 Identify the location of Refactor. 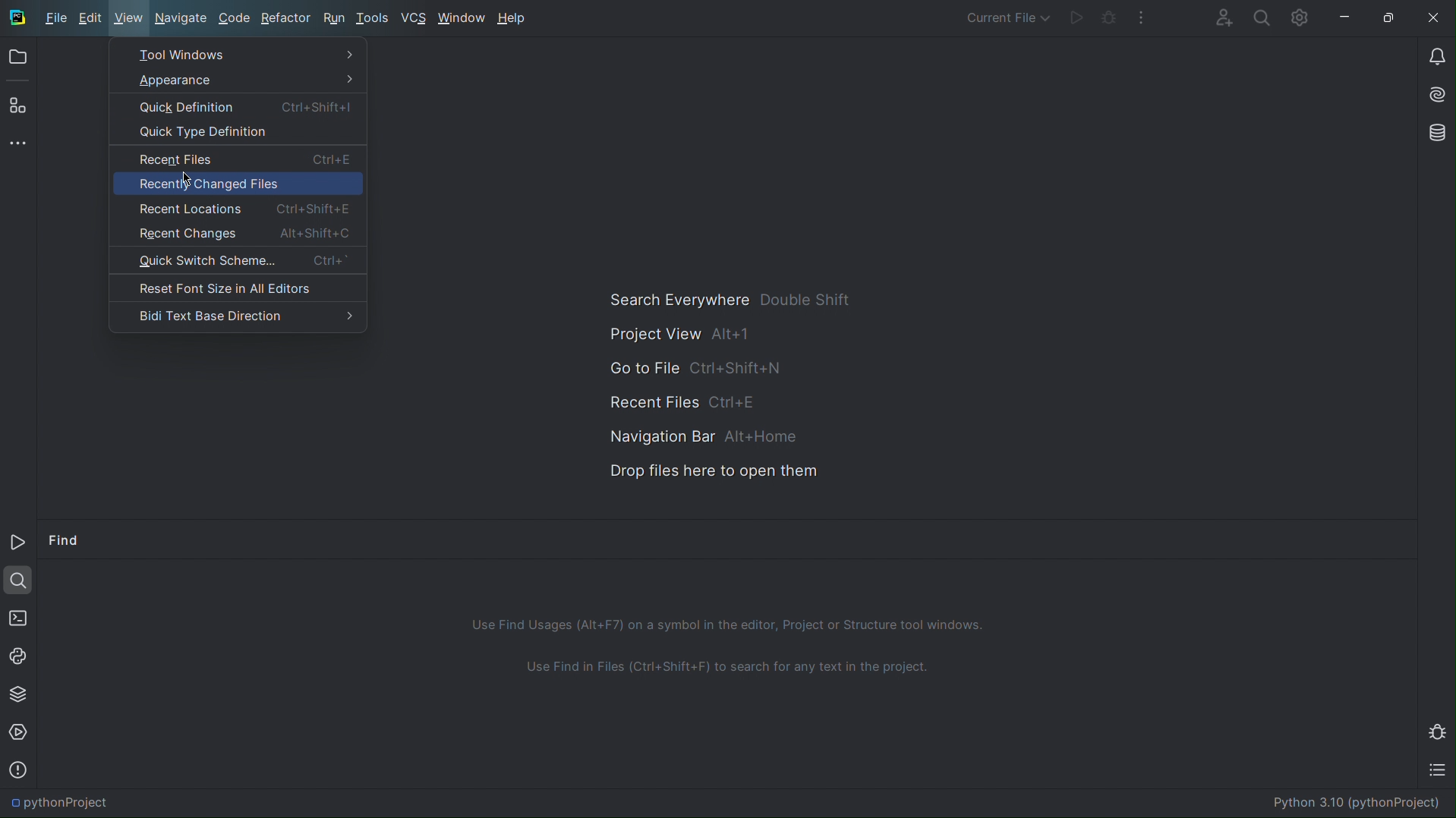
(285, 18).